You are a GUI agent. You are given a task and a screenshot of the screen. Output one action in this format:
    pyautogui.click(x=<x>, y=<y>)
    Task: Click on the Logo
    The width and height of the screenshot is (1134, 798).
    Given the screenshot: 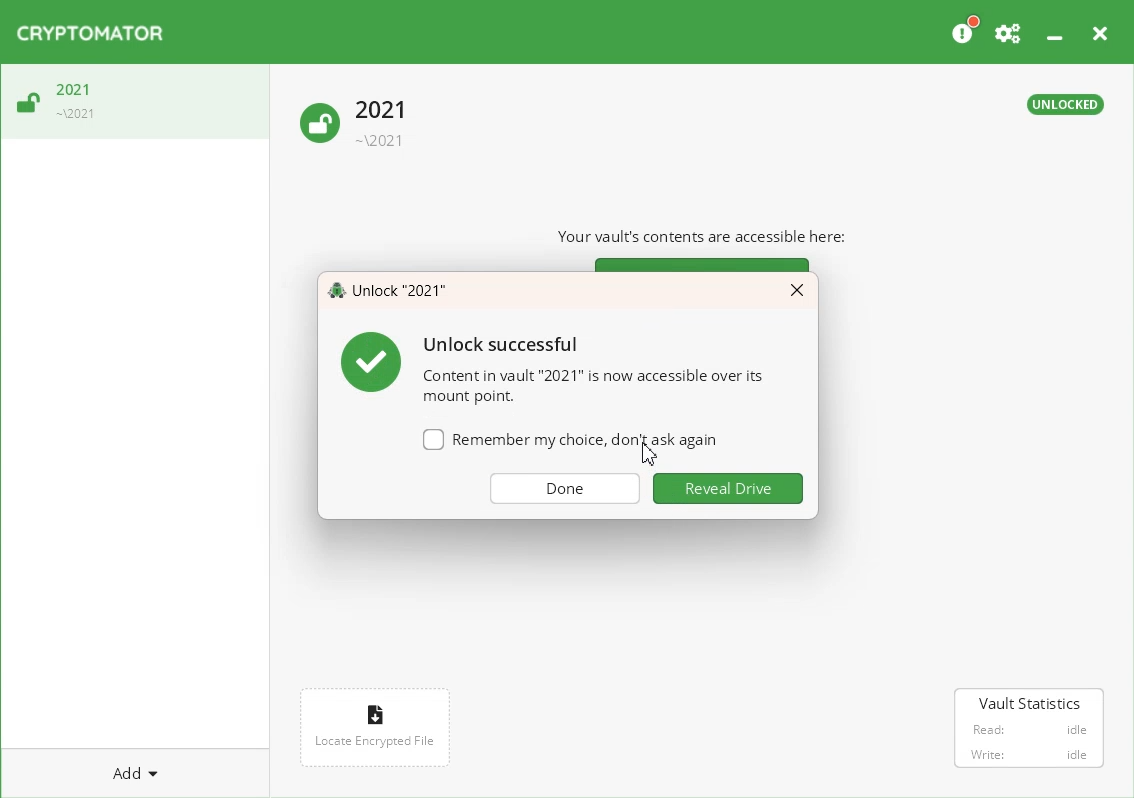 What is the action you would take?
    pyautogui.click(x=90, y=33)
    